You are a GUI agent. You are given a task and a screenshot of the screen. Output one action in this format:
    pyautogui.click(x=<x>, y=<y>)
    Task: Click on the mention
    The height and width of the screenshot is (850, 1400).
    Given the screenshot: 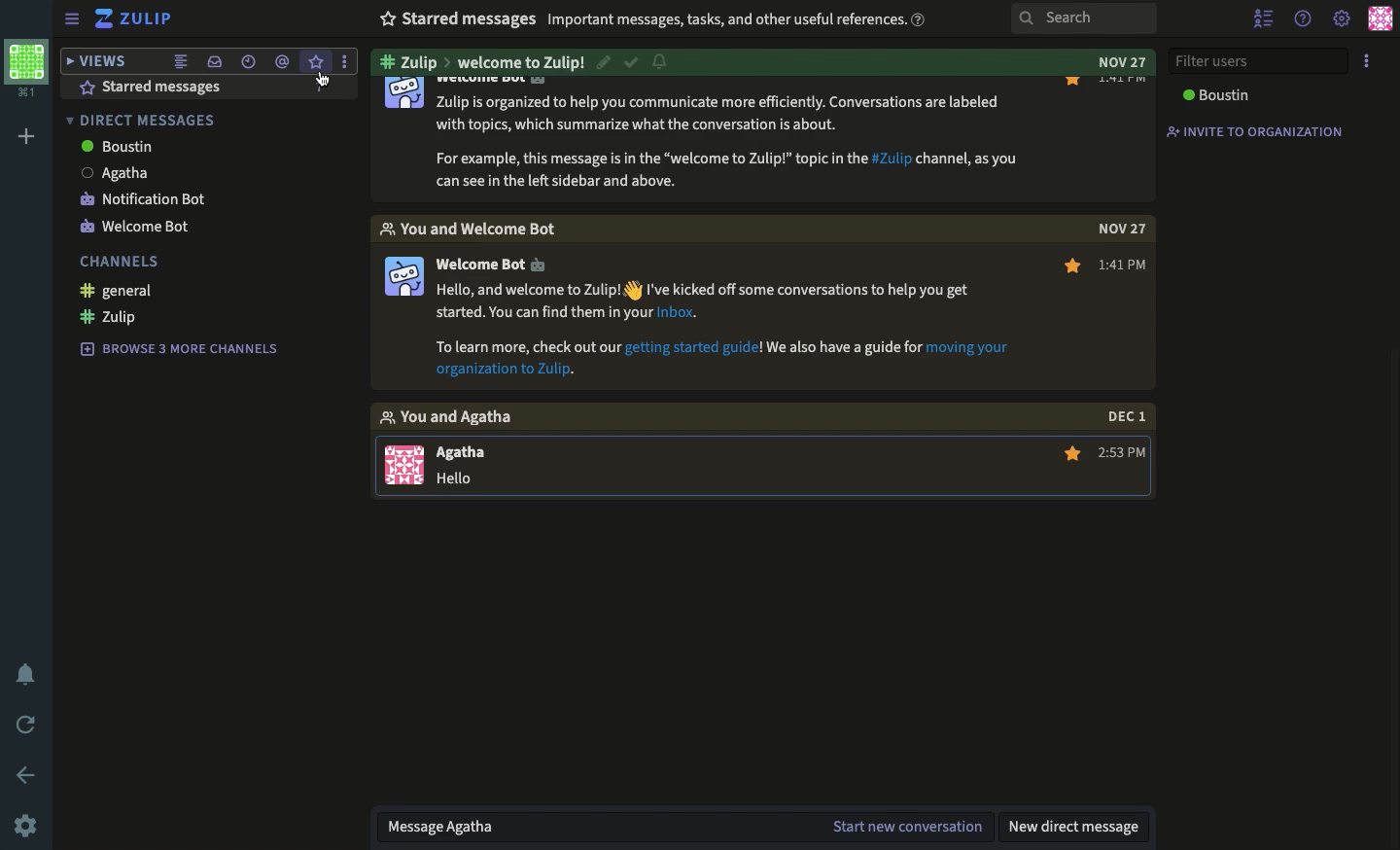 What is the action you would take?
    pyautogui.click(x=284, y=62)
    